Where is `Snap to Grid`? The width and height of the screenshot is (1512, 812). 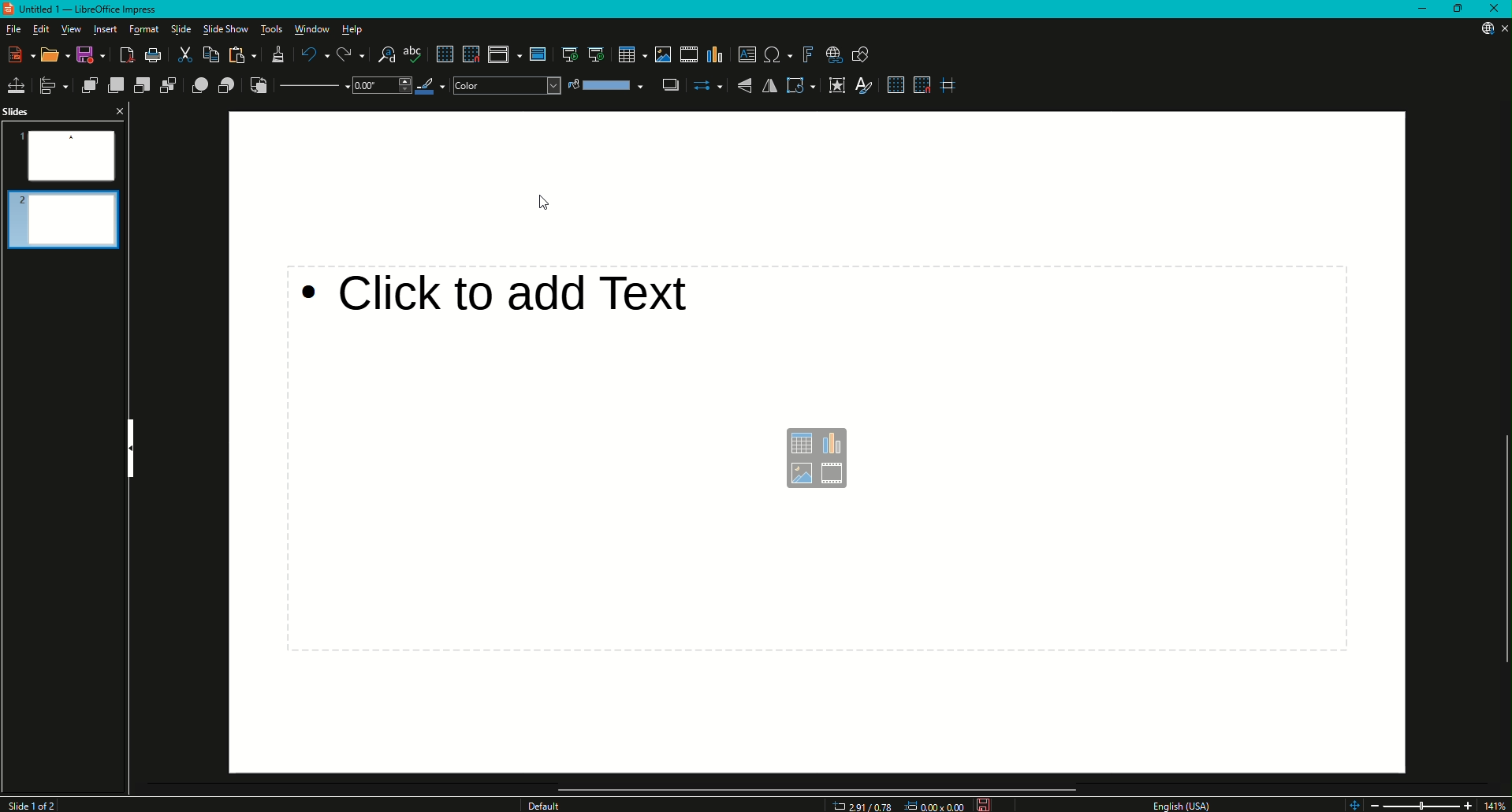 Snap to Grid is located at coordinates (922, 86).